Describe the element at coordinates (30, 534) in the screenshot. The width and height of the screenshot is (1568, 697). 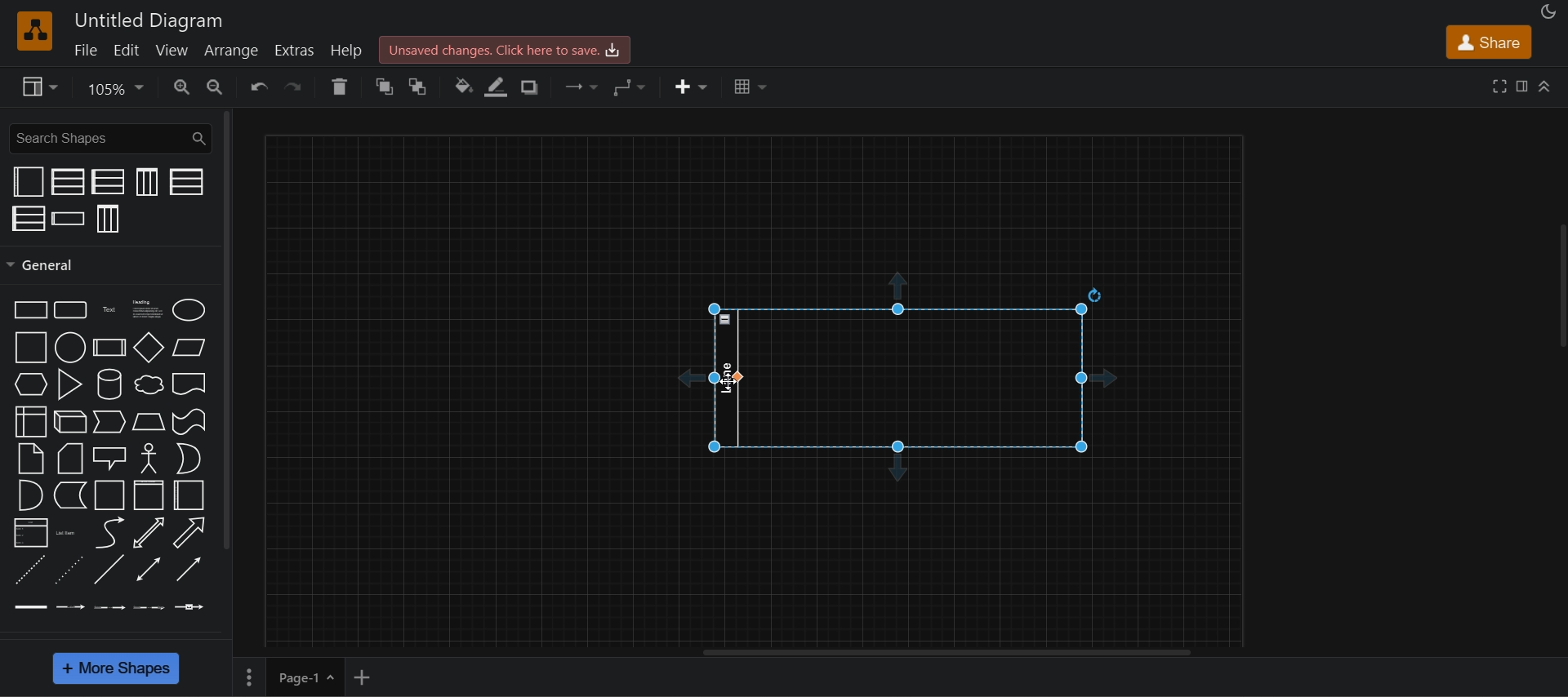
I see `list` at that location.